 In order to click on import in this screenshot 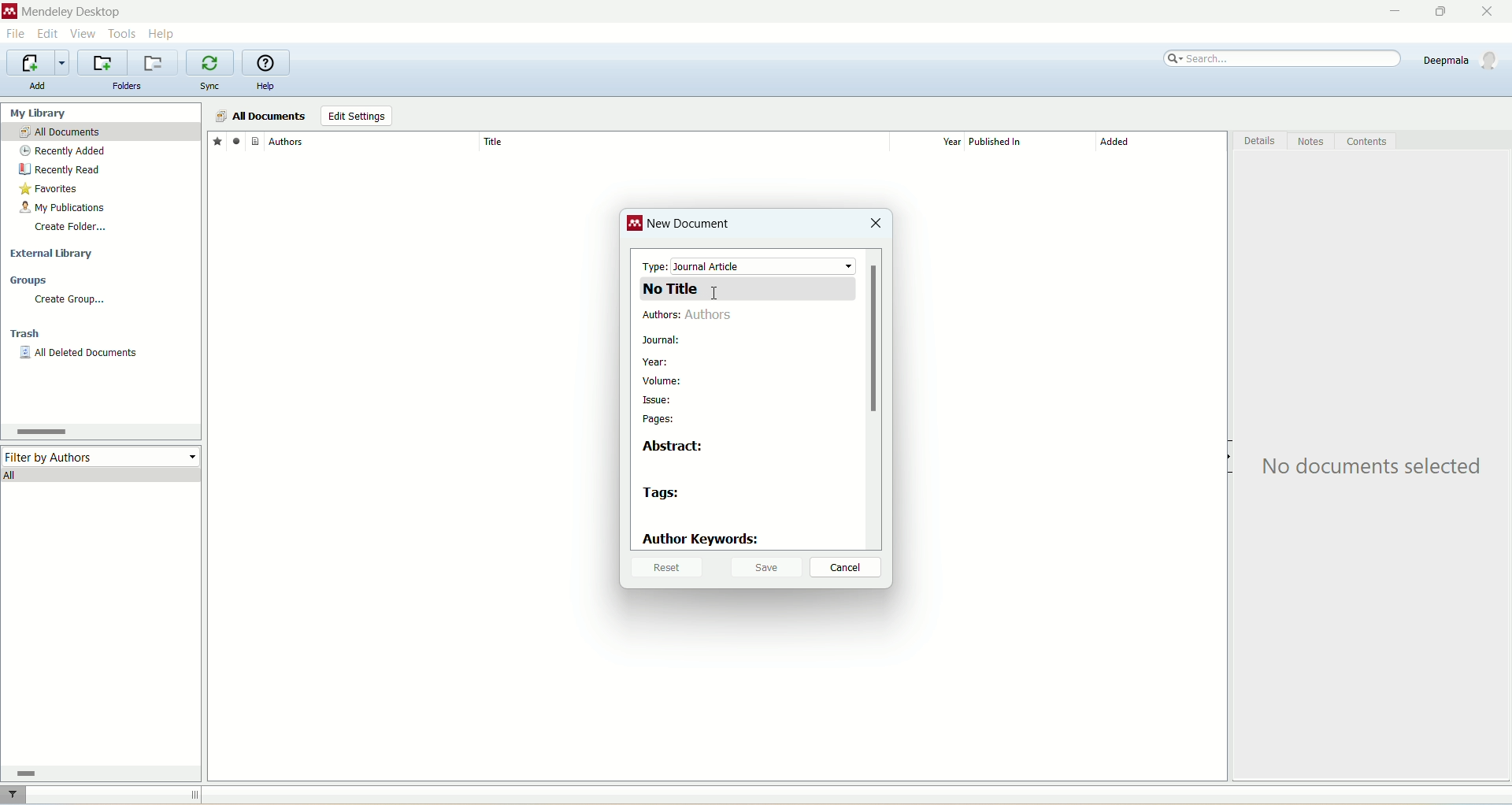, I will do `click(35, 63)`.